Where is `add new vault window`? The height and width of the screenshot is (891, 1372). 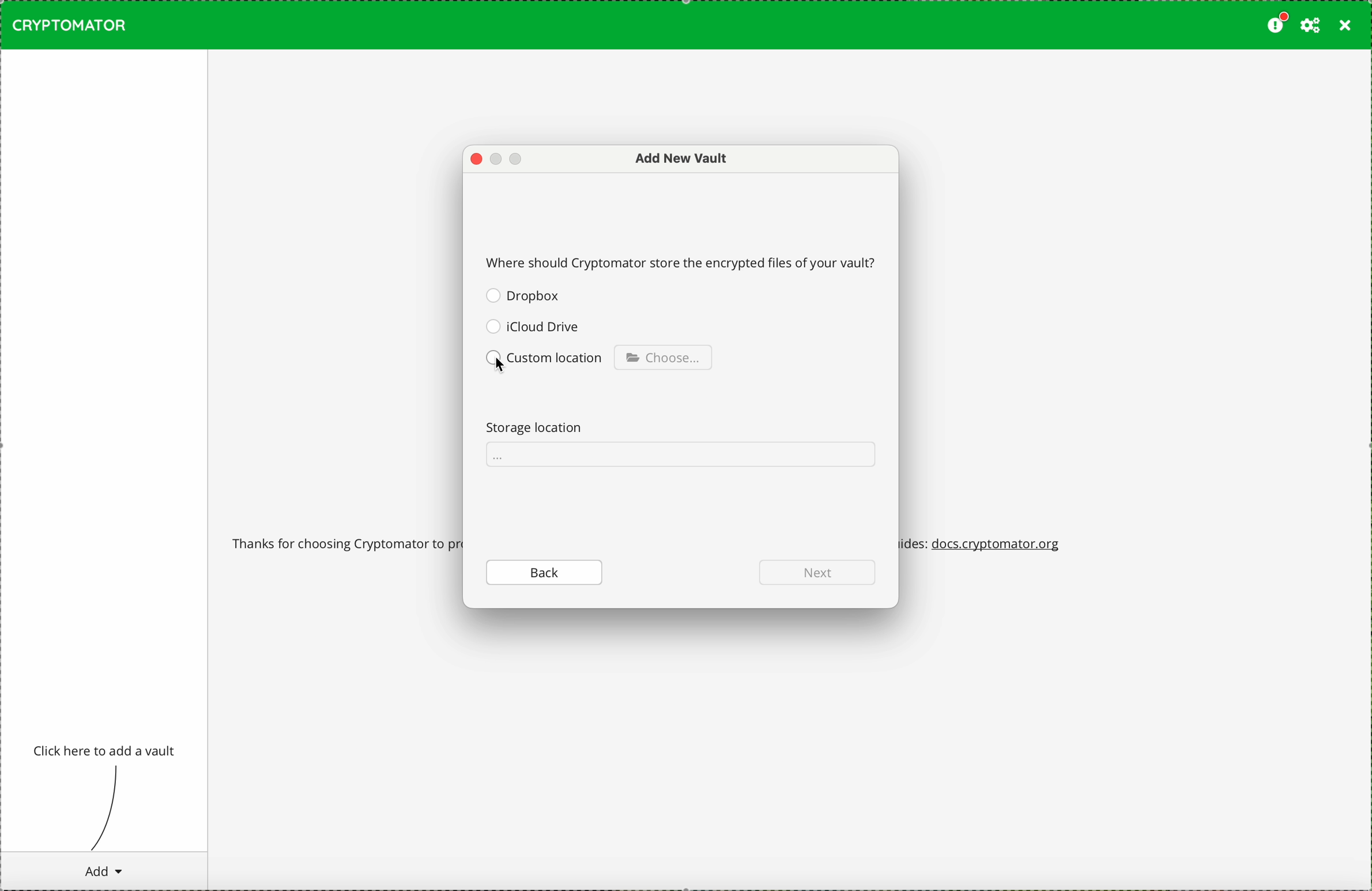 add new vault window is located at coordinates (674, 159).